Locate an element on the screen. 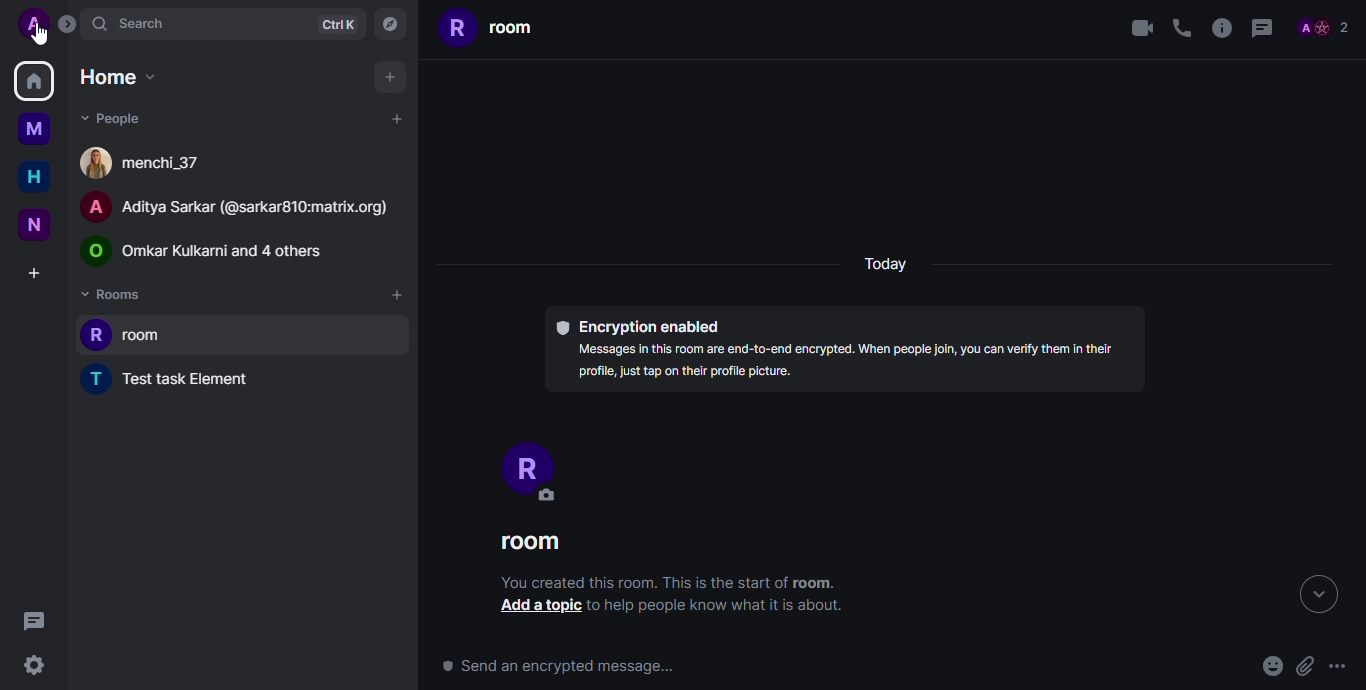 This screenshot has height=690, width=1366. info is located at coordinates (1220, 29).